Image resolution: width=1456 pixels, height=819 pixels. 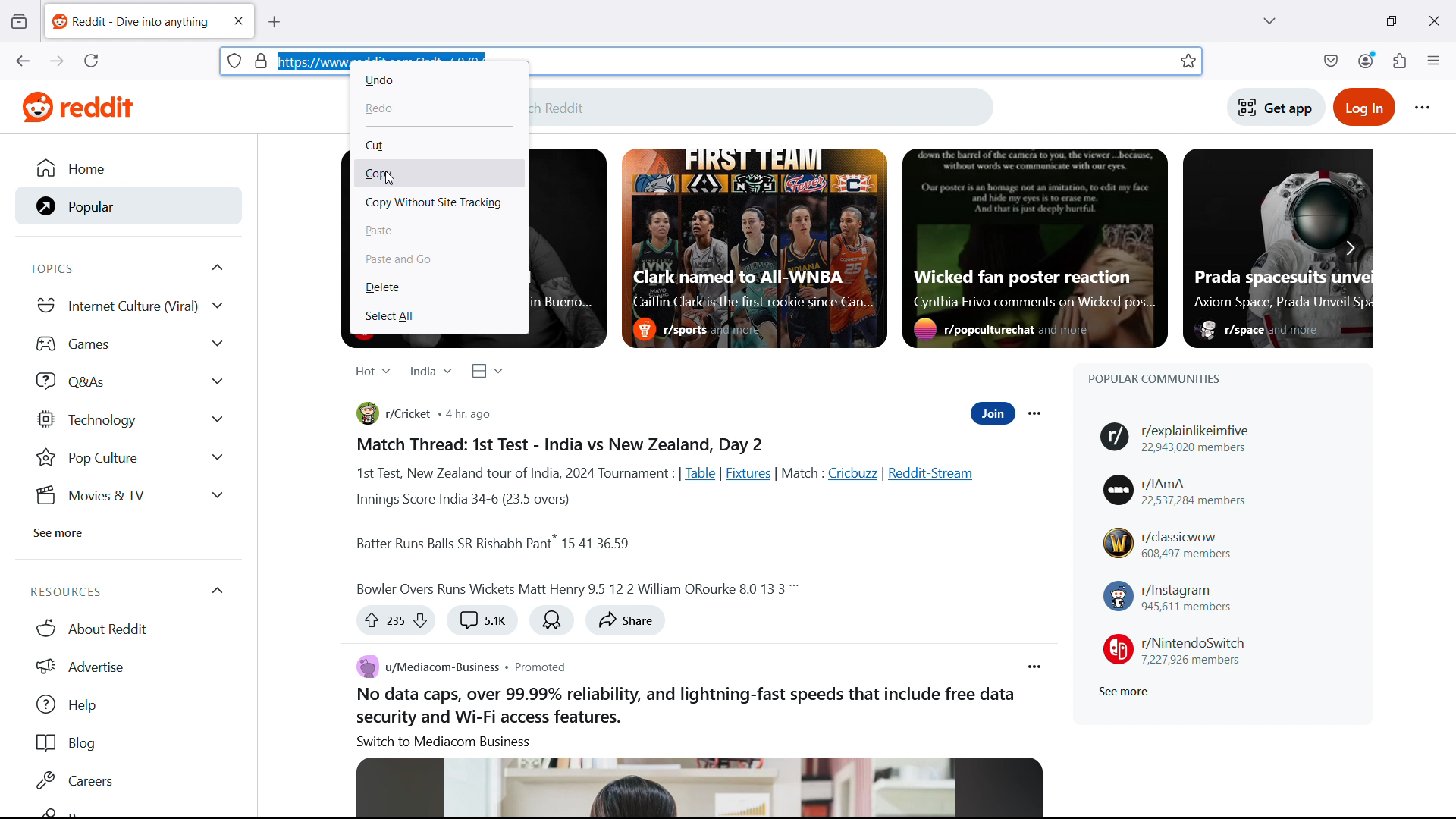 What do you see at coordinates (1034, 248) in the screenshot?
I see `Featured post 3` at bounding box center [1034, 248].